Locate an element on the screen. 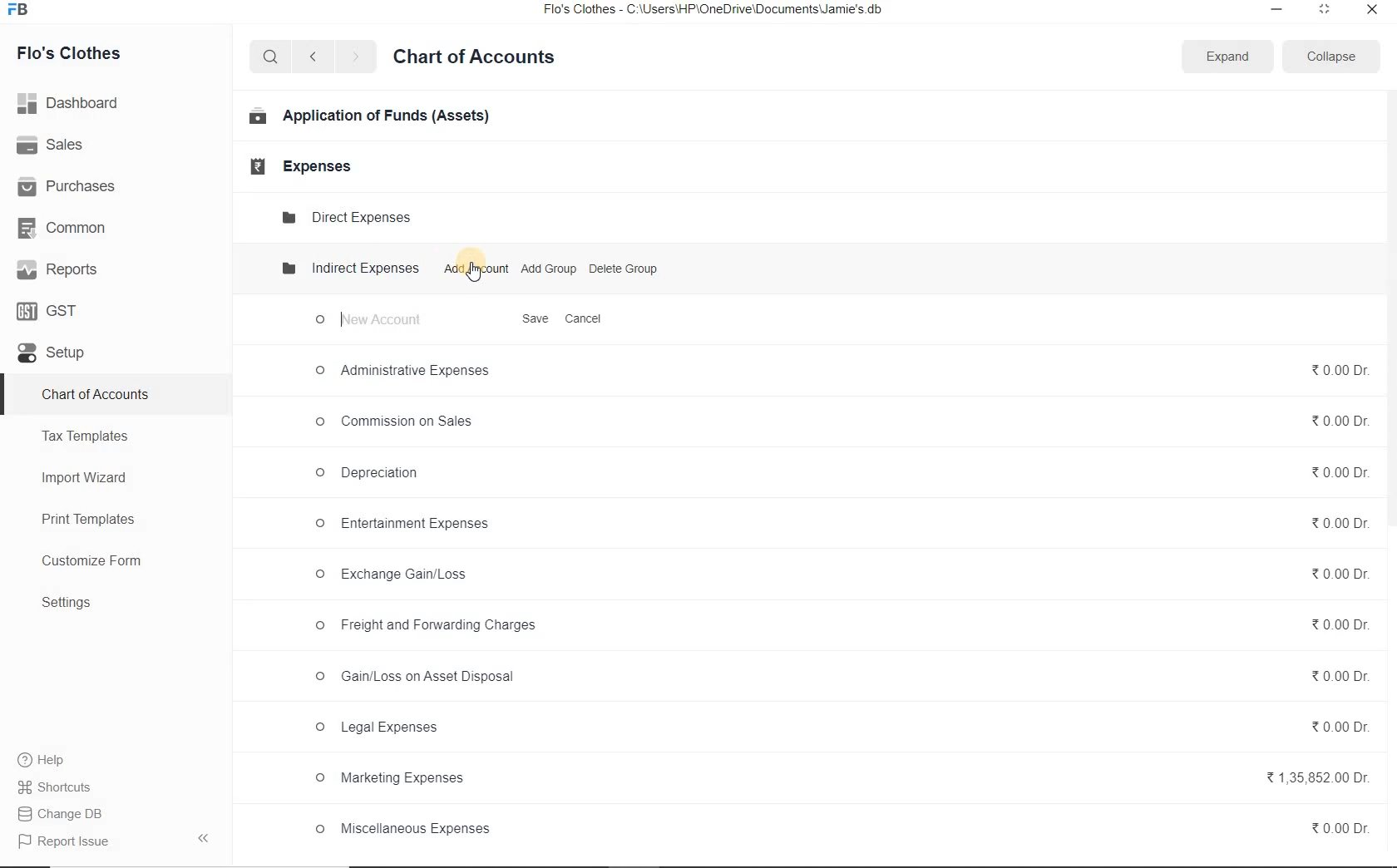  Save is located at coordinates (532, 321).